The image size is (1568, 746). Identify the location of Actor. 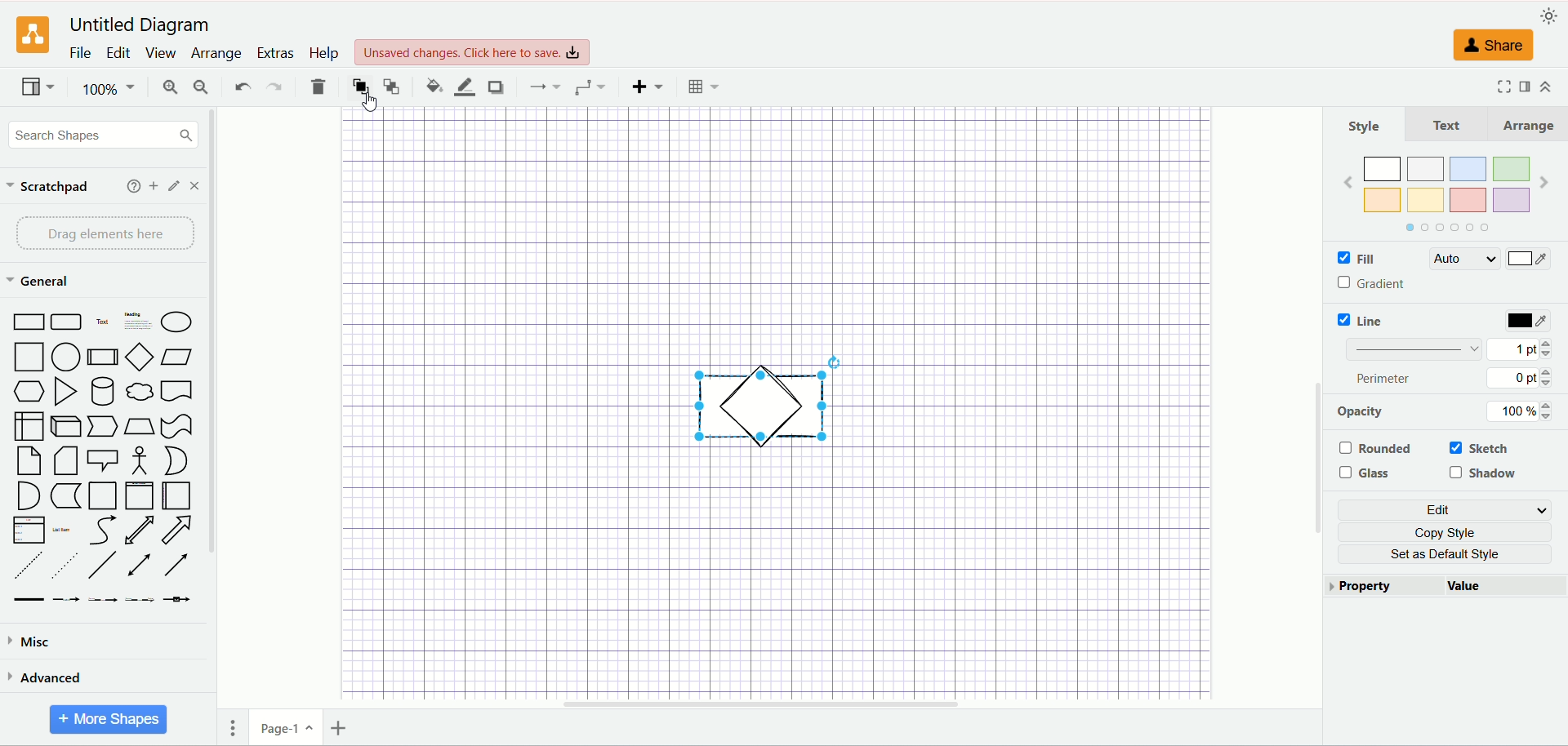
(142, 461).